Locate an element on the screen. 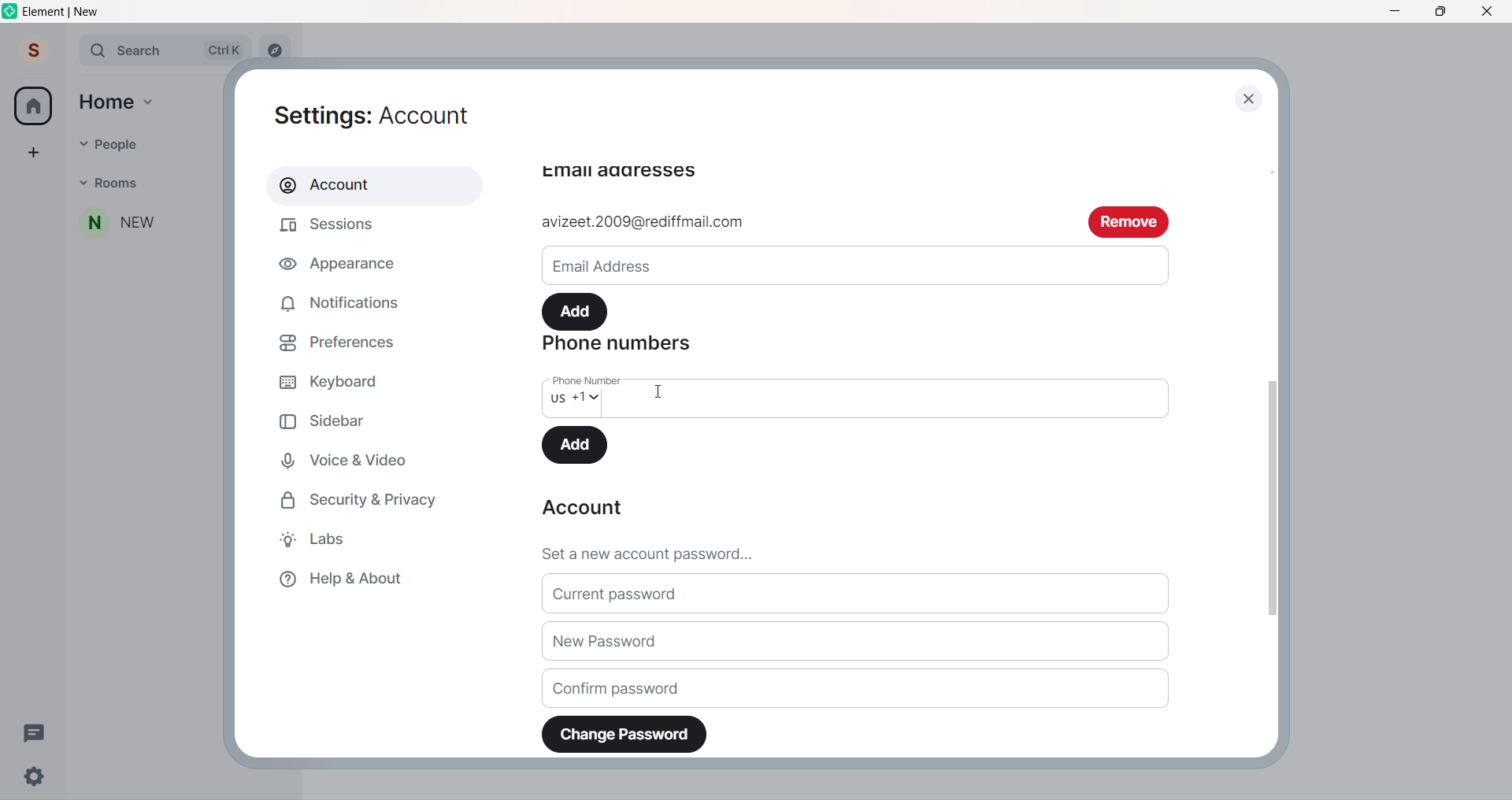  Home is located at coordinates (107, 101).